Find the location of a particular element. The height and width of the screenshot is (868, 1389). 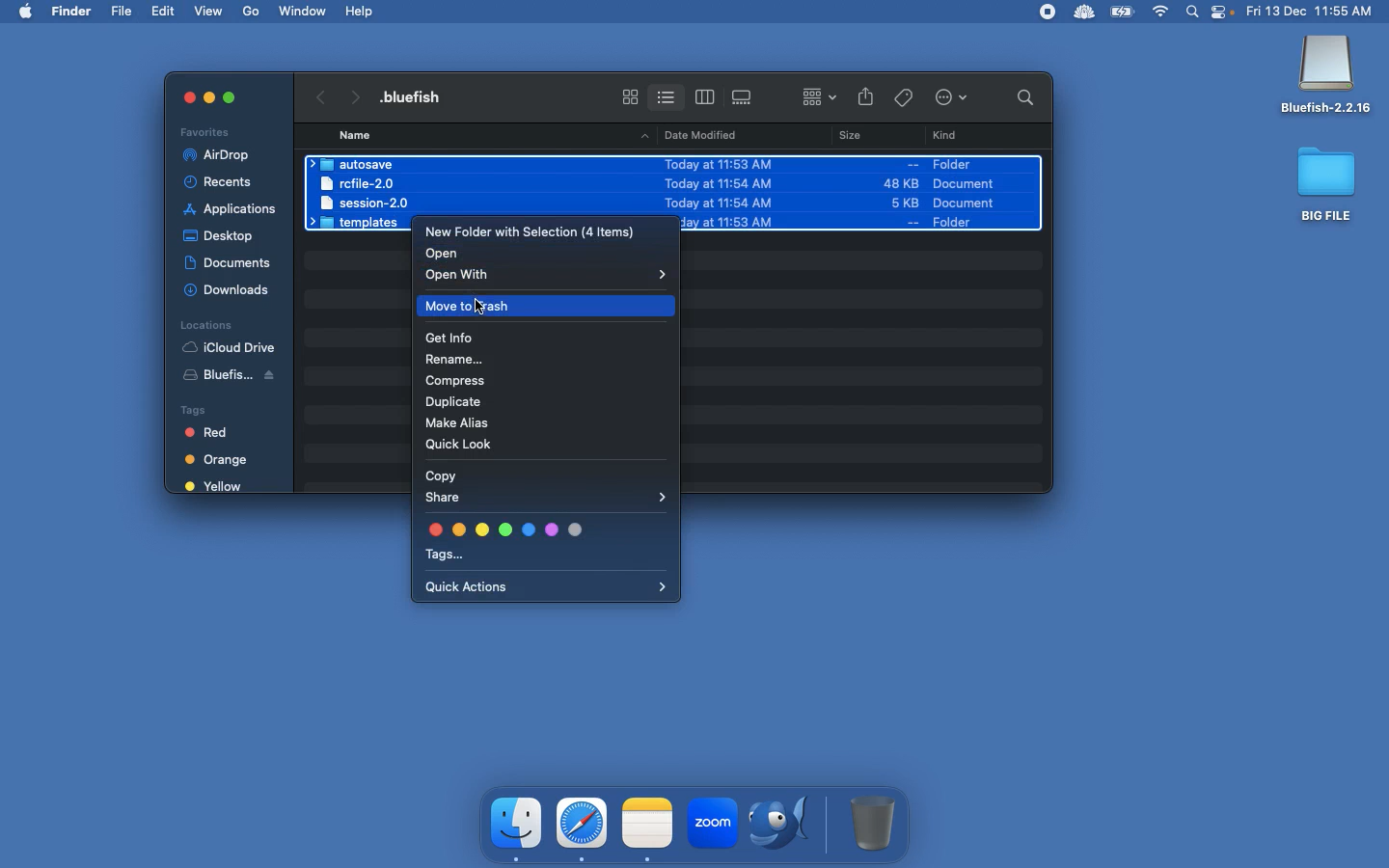

session-2.0 is located at coordinates (361, 202).